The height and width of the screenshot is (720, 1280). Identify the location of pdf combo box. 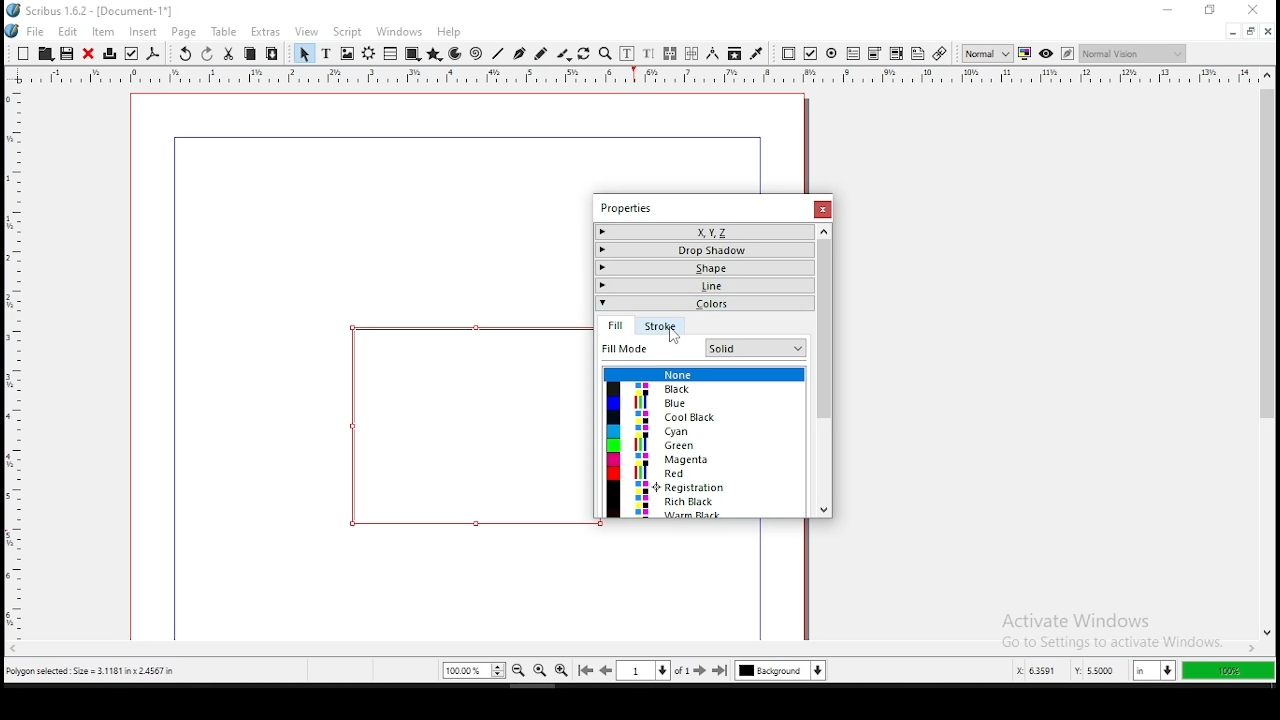
(896, 54).